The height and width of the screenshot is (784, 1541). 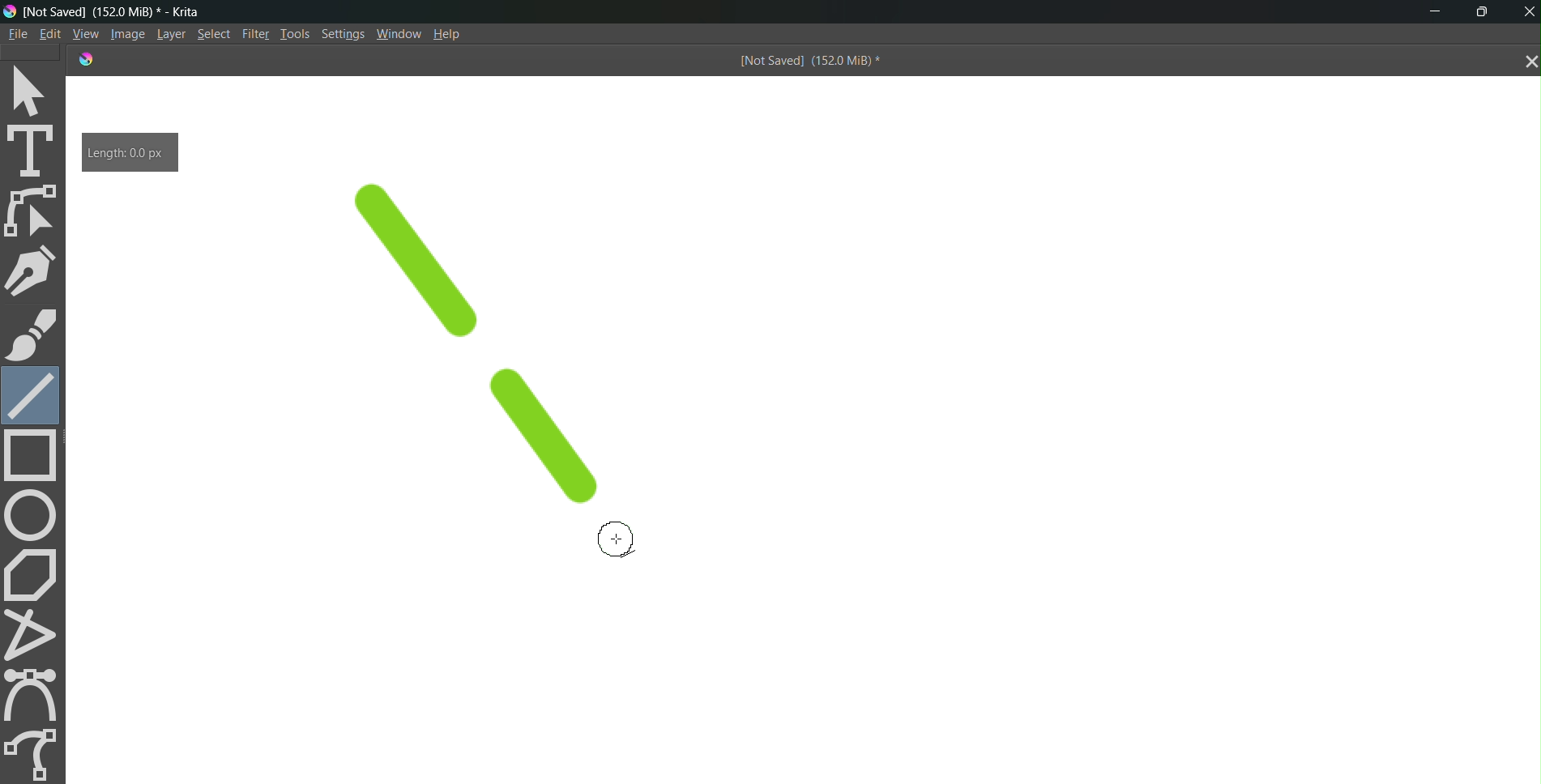 What do you see at coordinates (1429, 13) in the screenshot?
I see `minimize` at bounding box center [1429, 13].